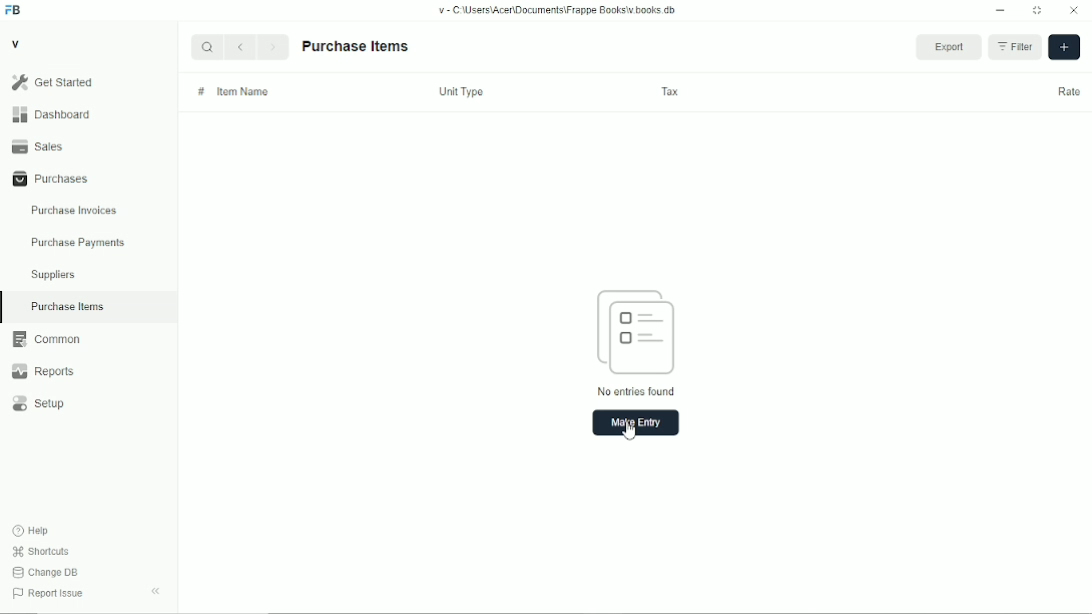 The height and width of the screenshot is (614, 1092). I want to click on FB, so click(14, 11).